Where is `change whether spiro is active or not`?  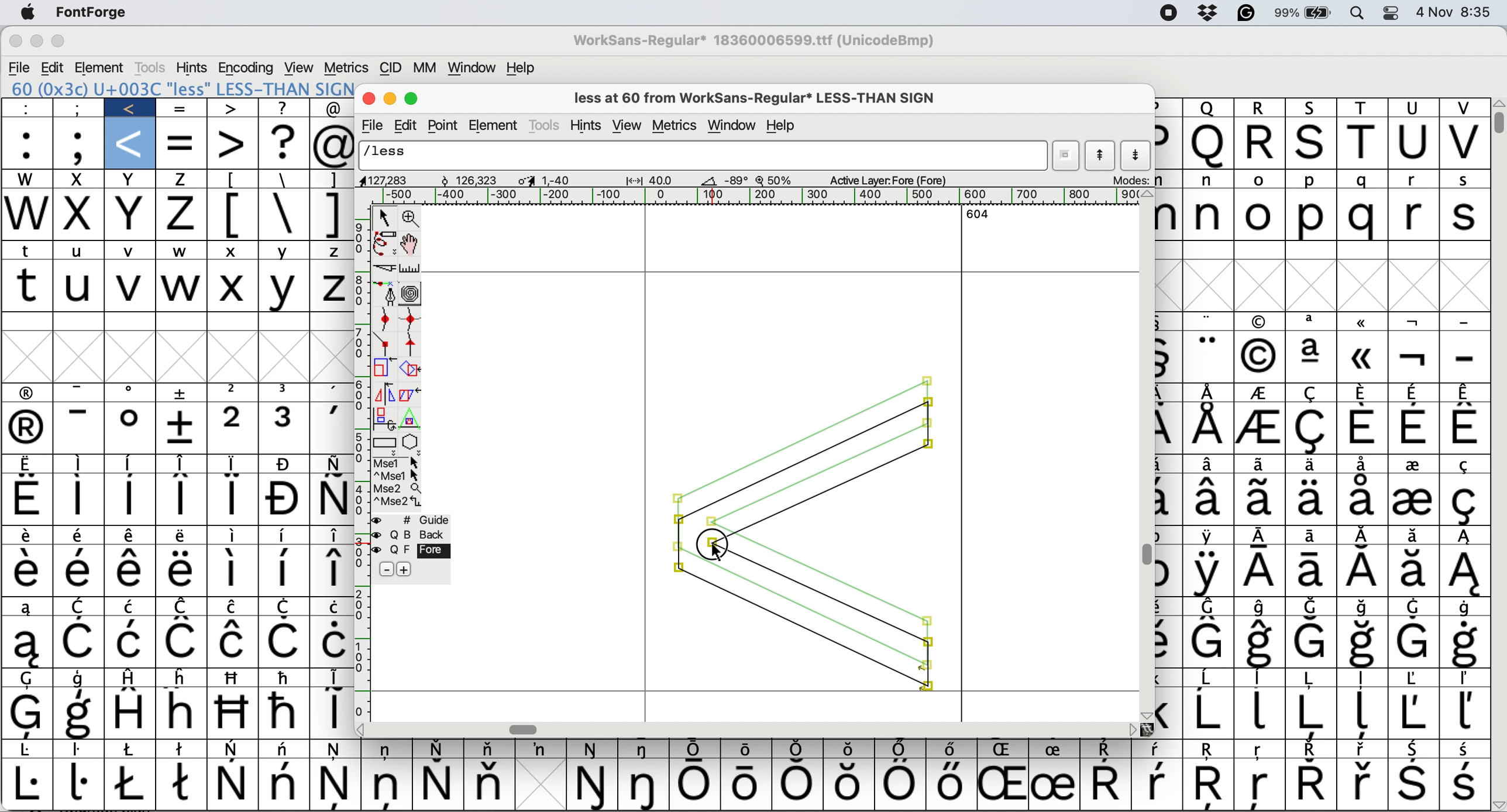
change whether spiro is active or not is located at coordinates (410, 293).